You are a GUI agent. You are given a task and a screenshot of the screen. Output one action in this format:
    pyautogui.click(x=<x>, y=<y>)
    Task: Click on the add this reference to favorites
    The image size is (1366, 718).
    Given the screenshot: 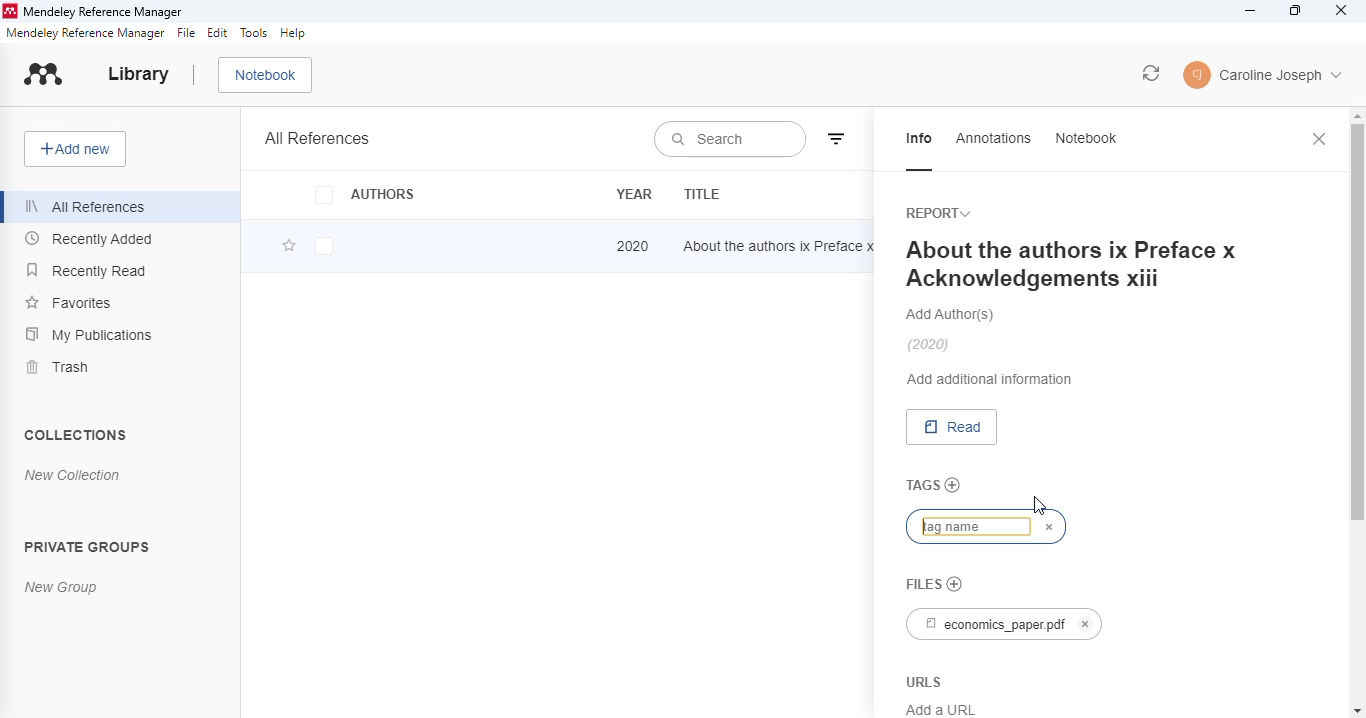 What is the action you would take?
    pyautogui.click(x=289, y=246)
    